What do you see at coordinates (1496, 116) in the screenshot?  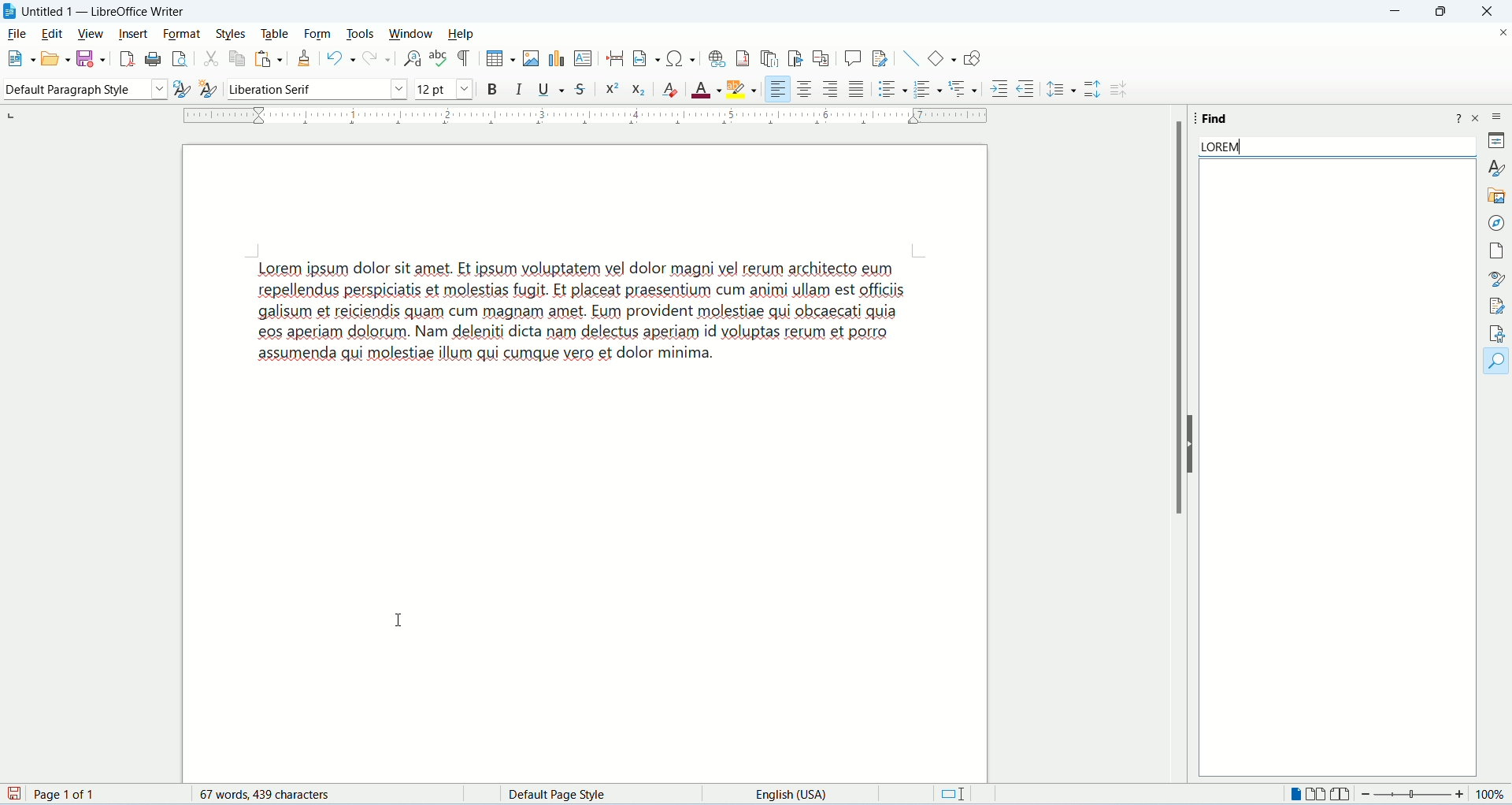 I see `sidebar` at bounding box center [1496, 116].